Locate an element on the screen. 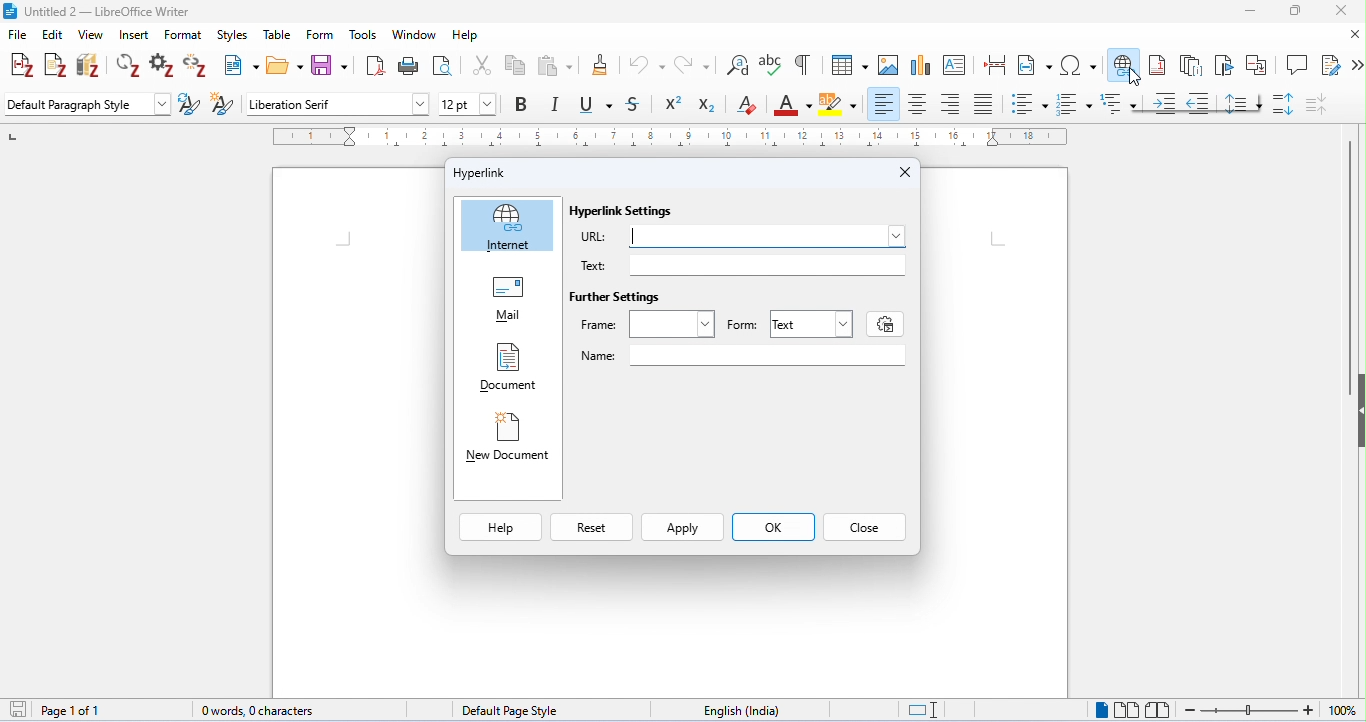  set document preference is located at coordinates (164, 65).